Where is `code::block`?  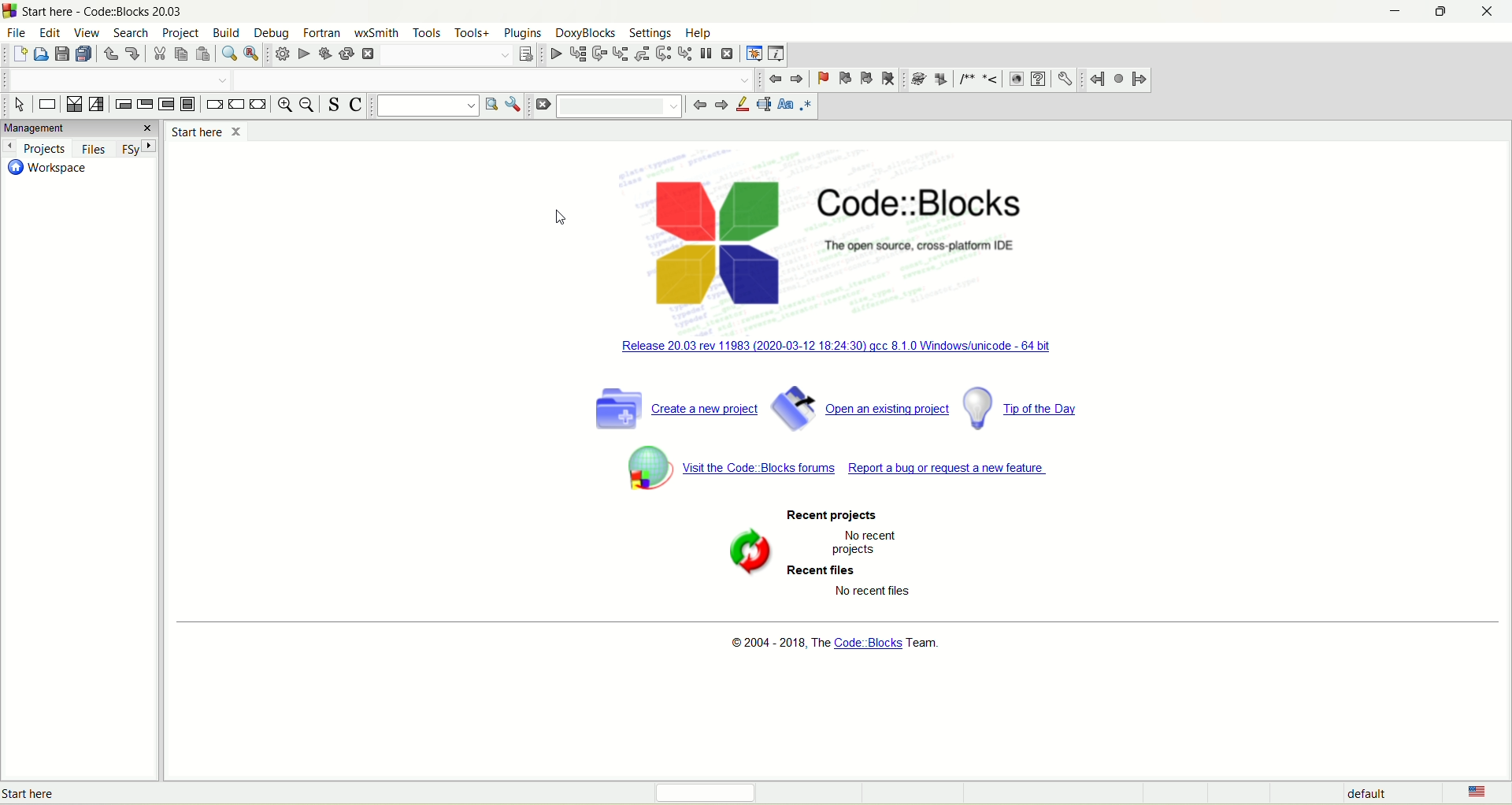
code::block is located at coordinates (105, 12).